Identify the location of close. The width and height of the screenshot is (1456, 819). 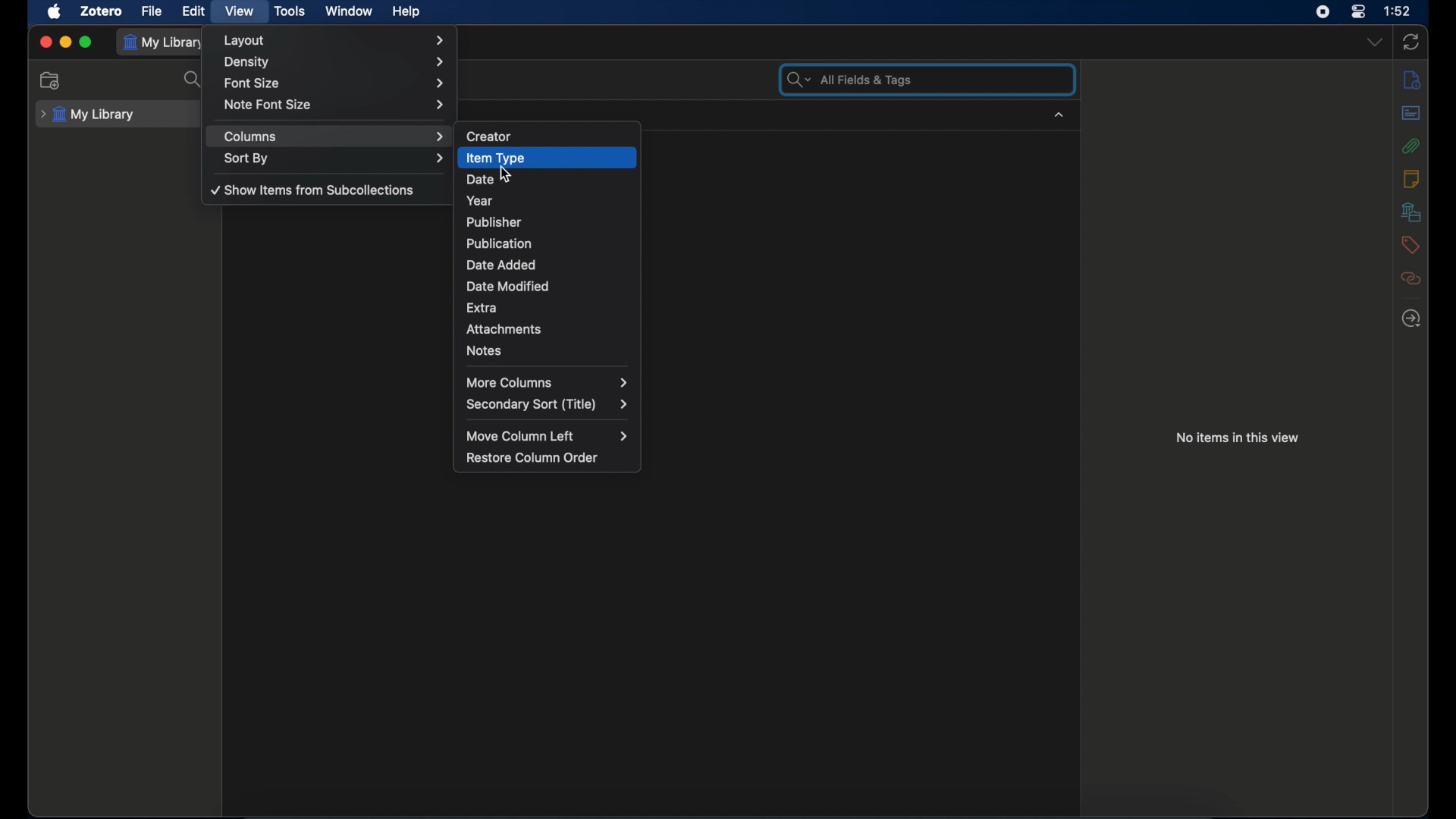
(45, 43).